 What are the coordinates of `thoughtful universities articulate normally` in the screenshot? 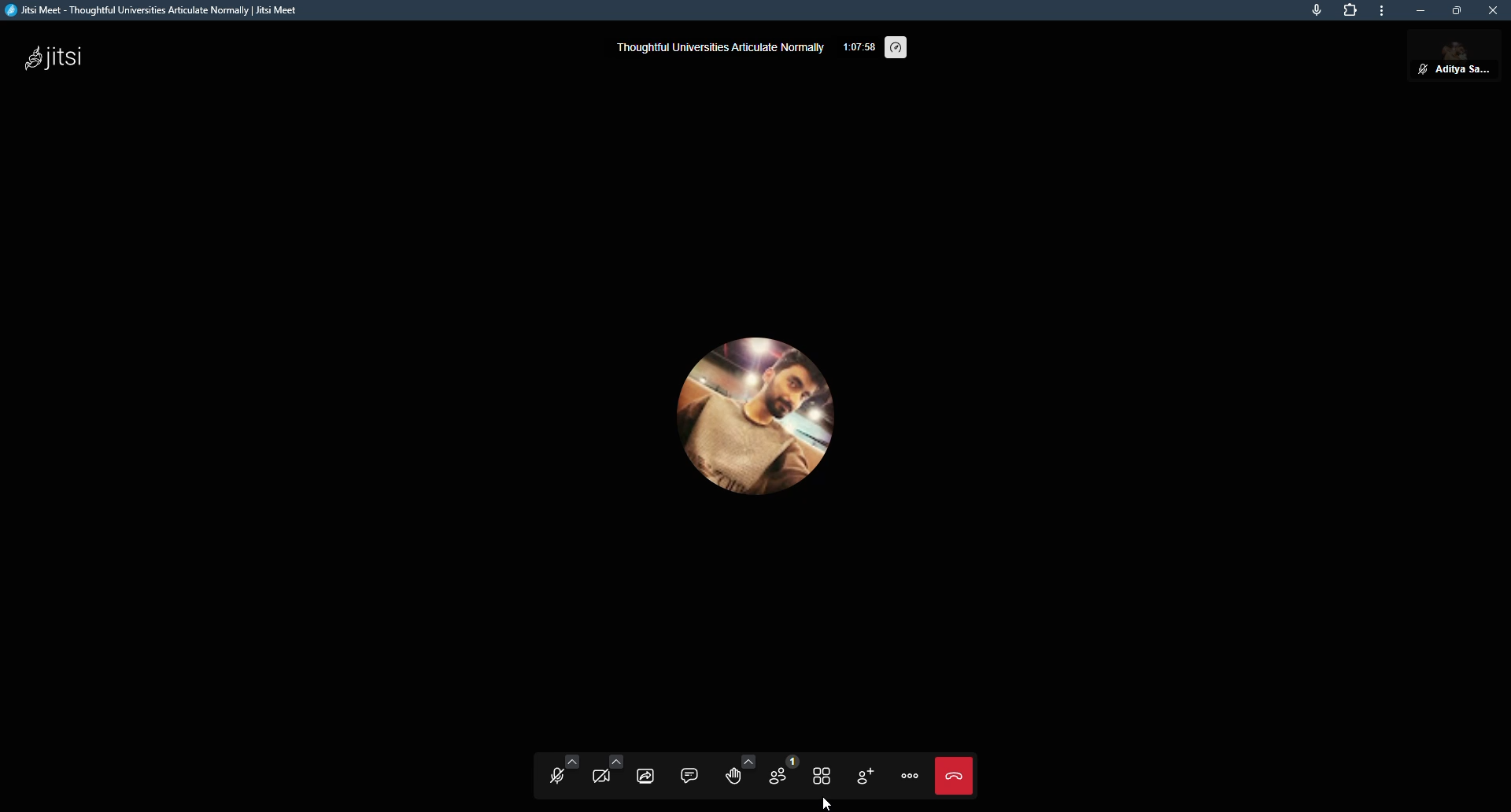 It's located at (716, 50).